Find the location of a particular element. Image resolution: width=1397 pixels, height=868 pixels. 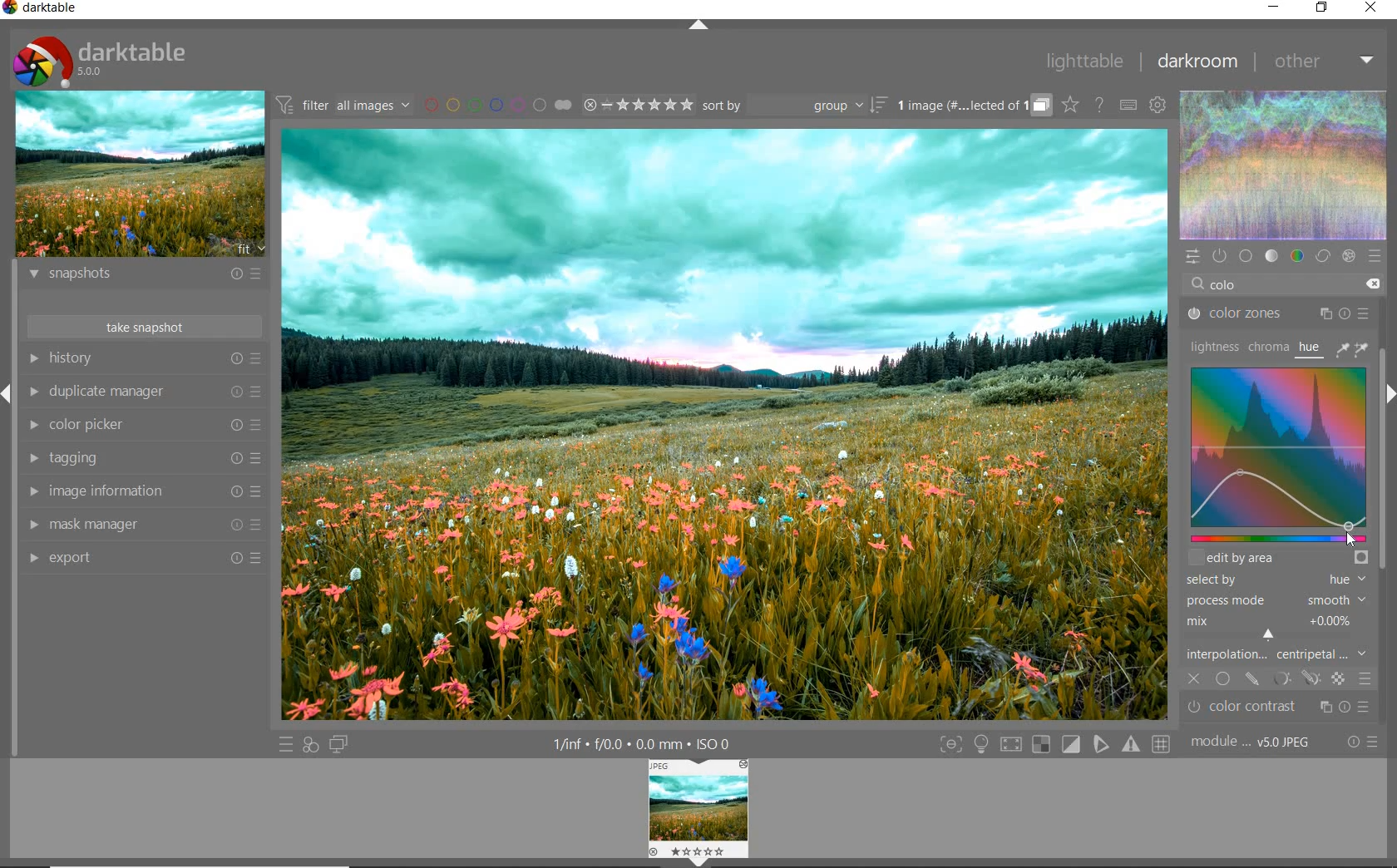

module..v50JPEG is located at coordinates (1255, 742).